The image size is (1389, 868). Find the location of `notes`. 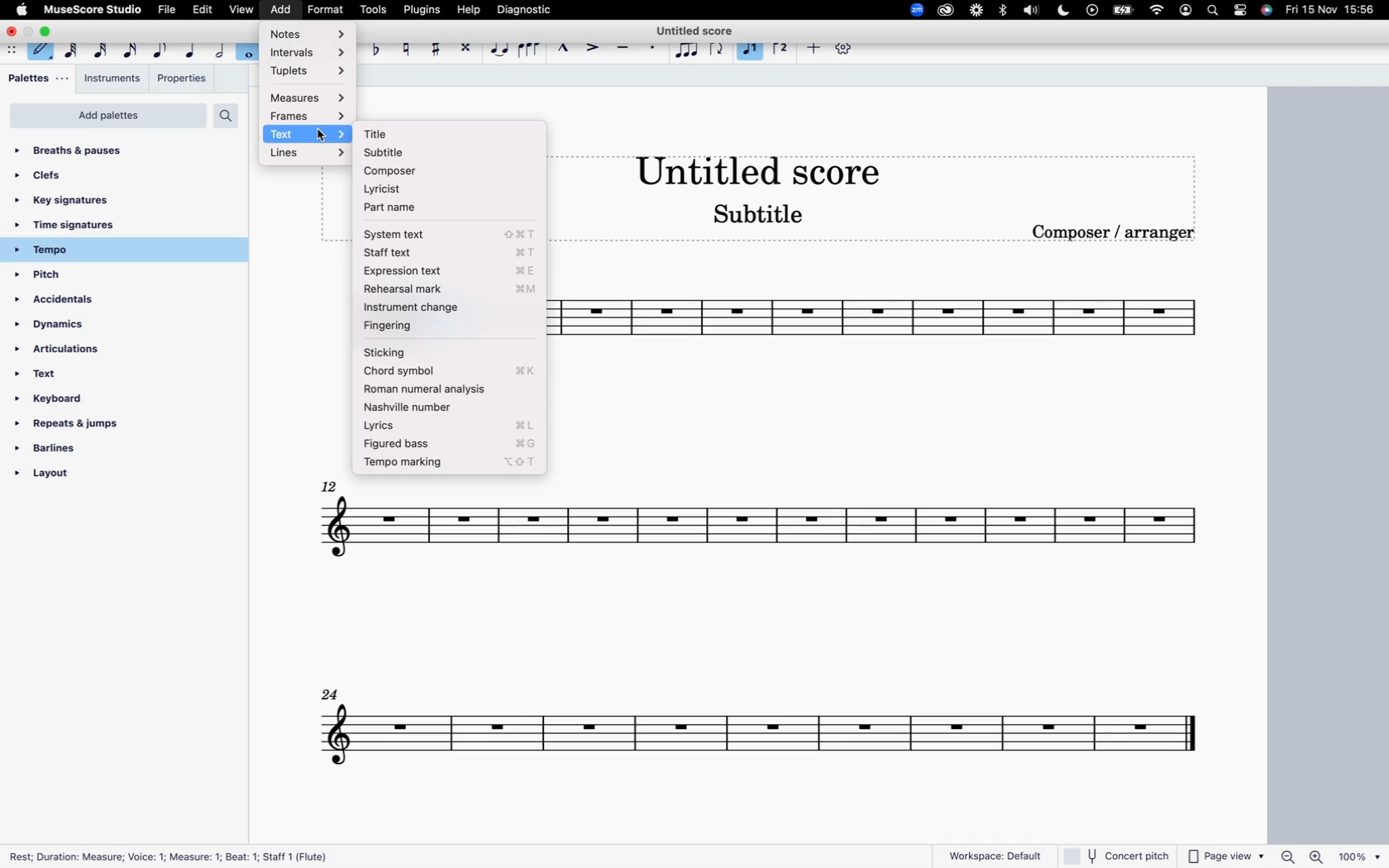

notes is located at coordinates (313, 33).